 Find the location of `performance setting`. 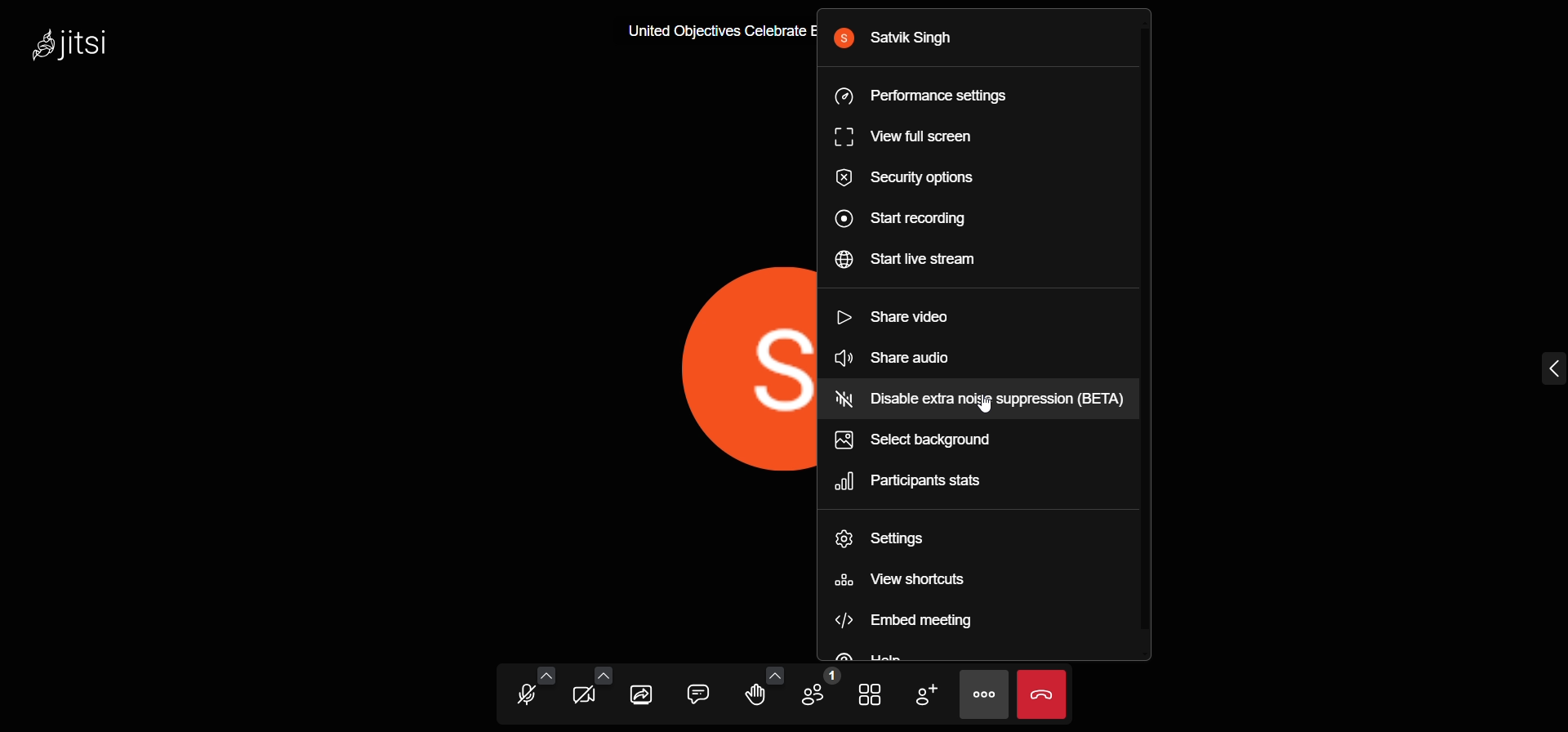

performance setting is located at coordinates (925, 97).